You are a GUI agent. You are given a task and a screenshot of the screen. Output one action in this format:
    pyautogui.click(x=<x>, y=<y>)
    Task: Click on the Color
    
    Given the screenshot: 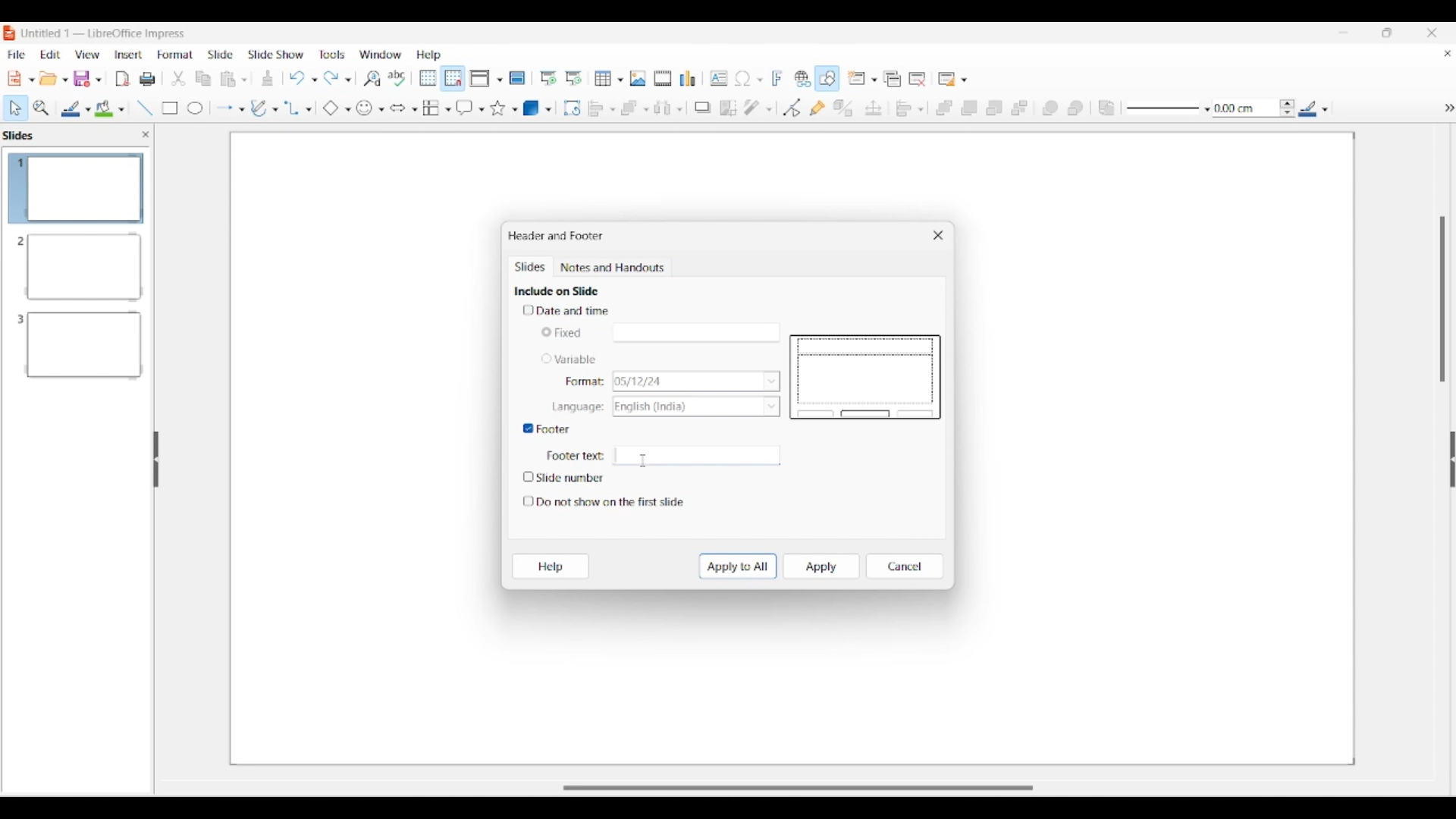 What is the action you would take?
    pyautogui.click(x=108, y=106)
    